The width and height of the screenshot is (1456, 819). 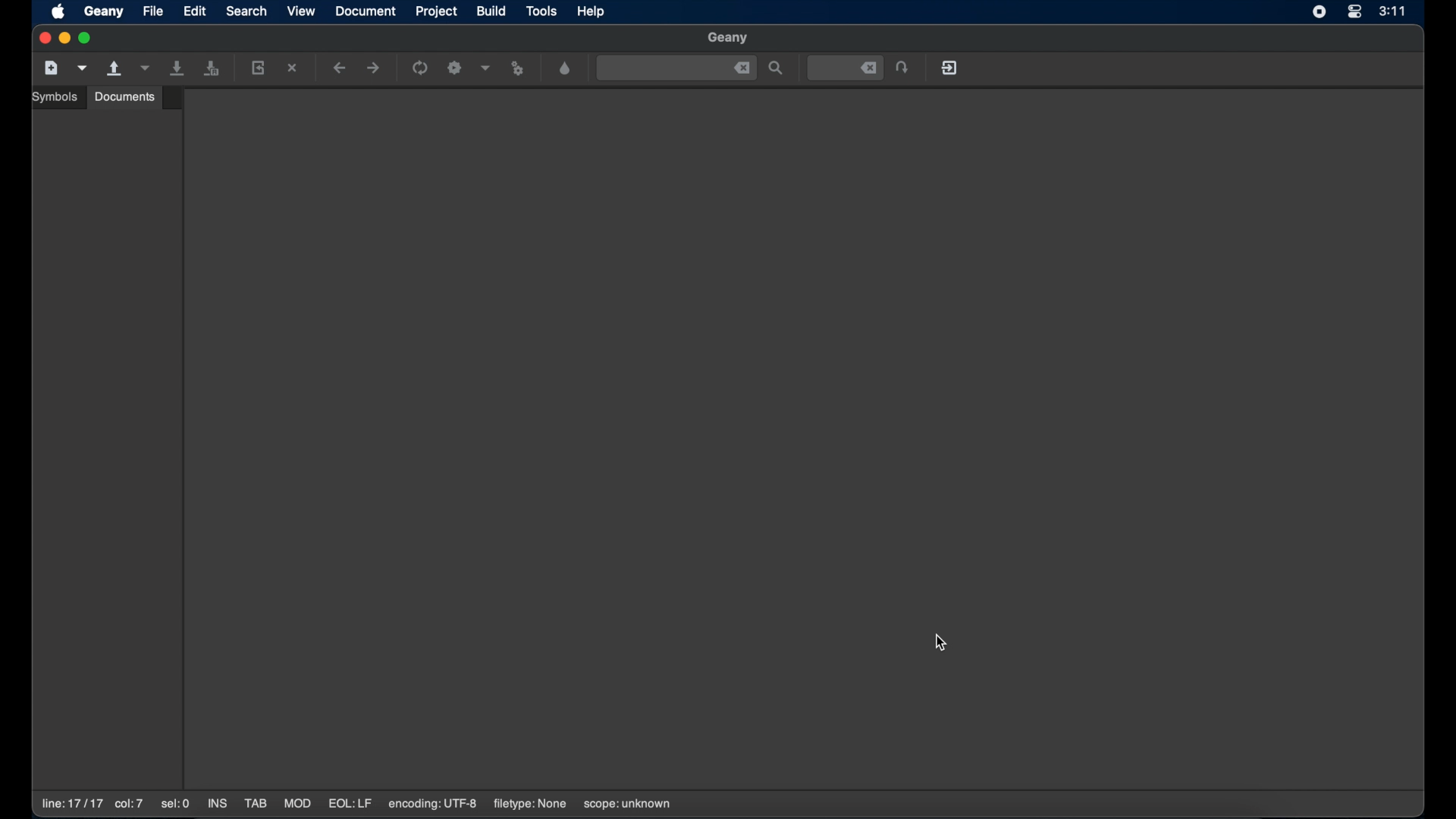 What do you see at coordinates (457, 69) in the screenshot?
I see `build the current file` at bounding box center [457, 69].